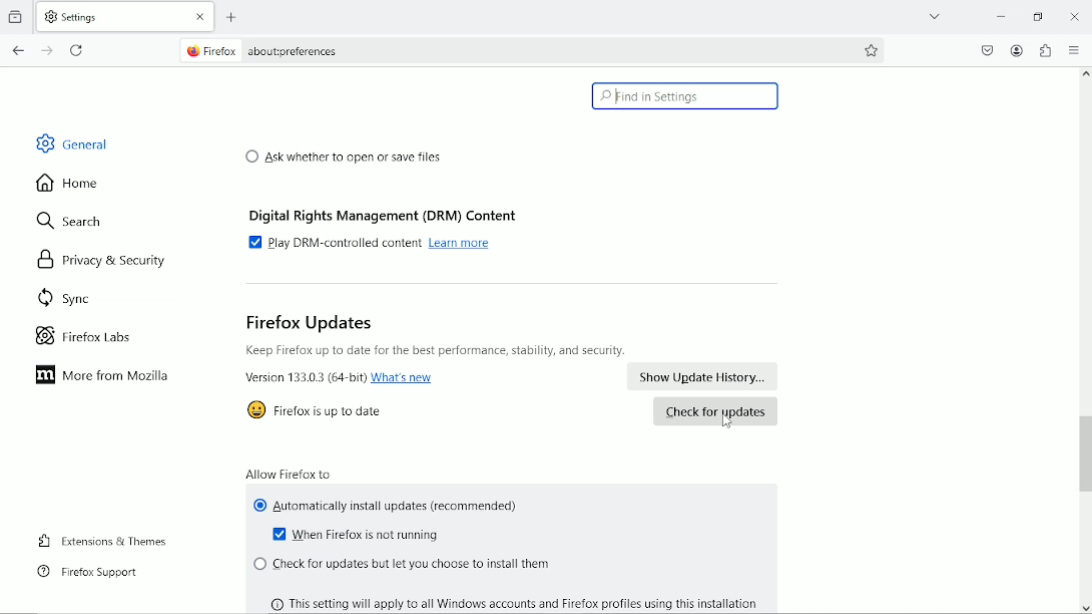  Describe the element at coordinates (375, 243) in the screenshot. I see `Play DRM-controlled content Learn more` at that location.